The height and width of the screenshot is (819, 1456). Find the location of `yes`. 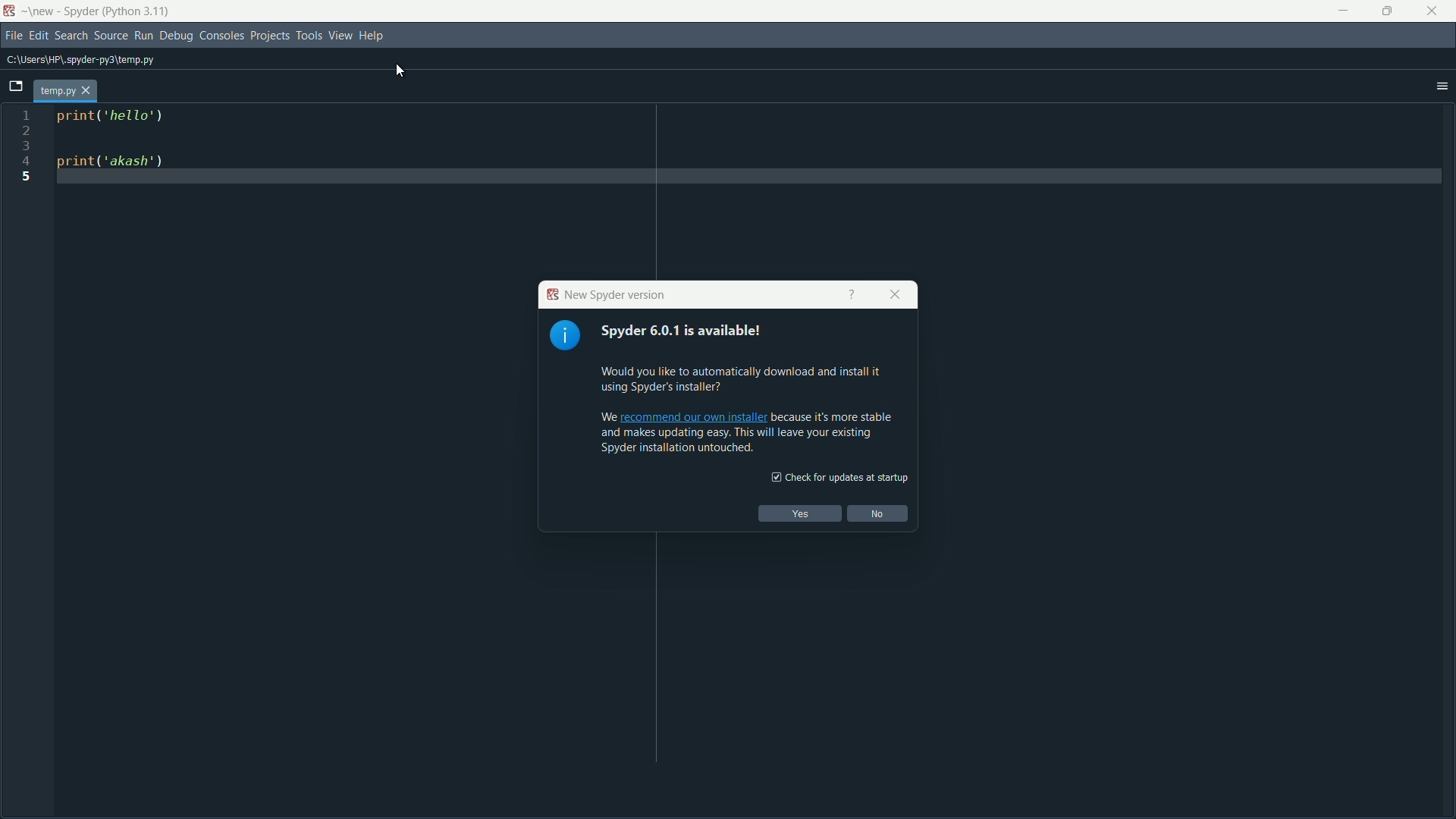

yes is located at coordinates (799, 513).